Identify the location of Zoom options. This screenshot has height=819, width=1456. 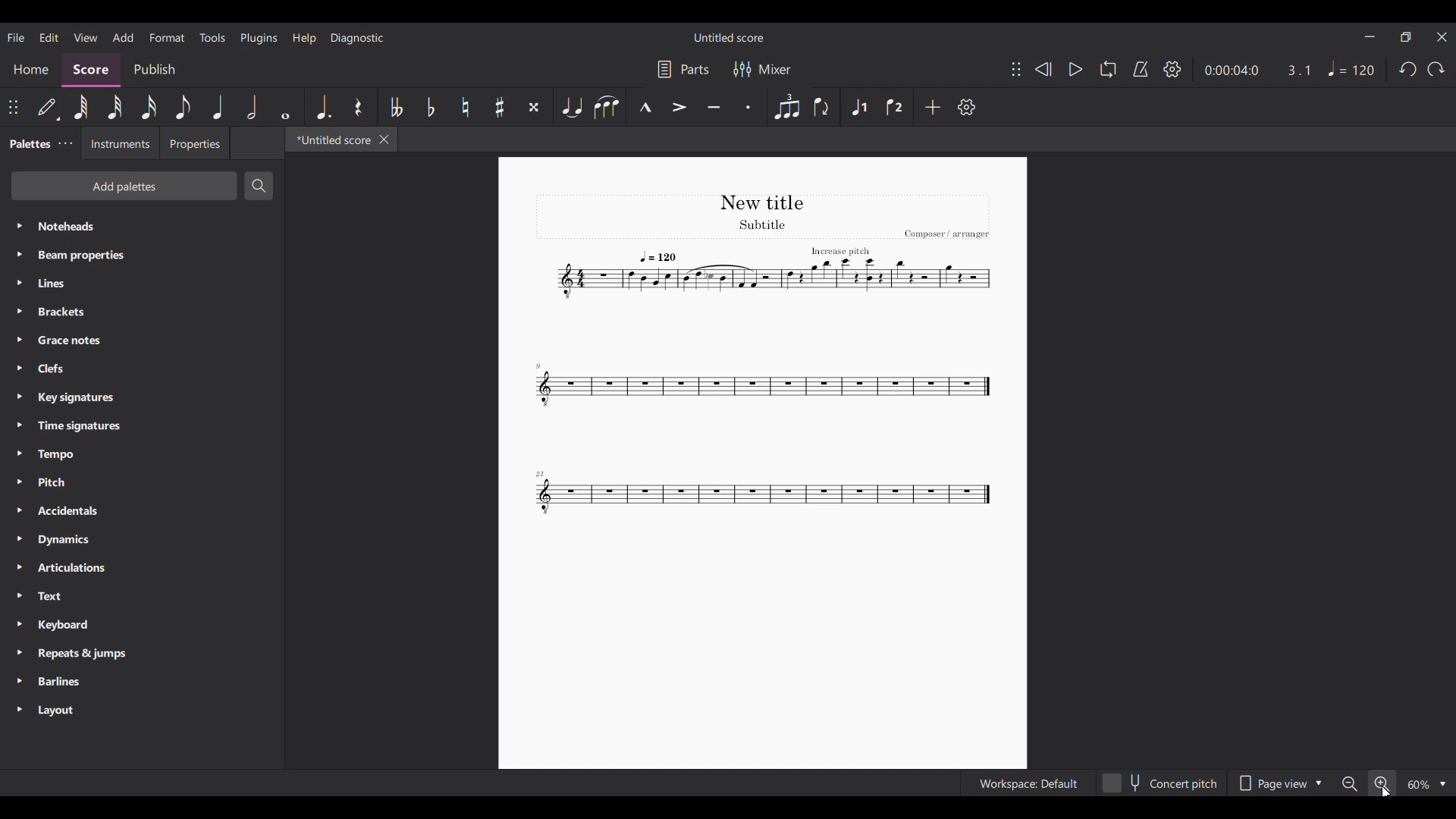
(1426, 784).